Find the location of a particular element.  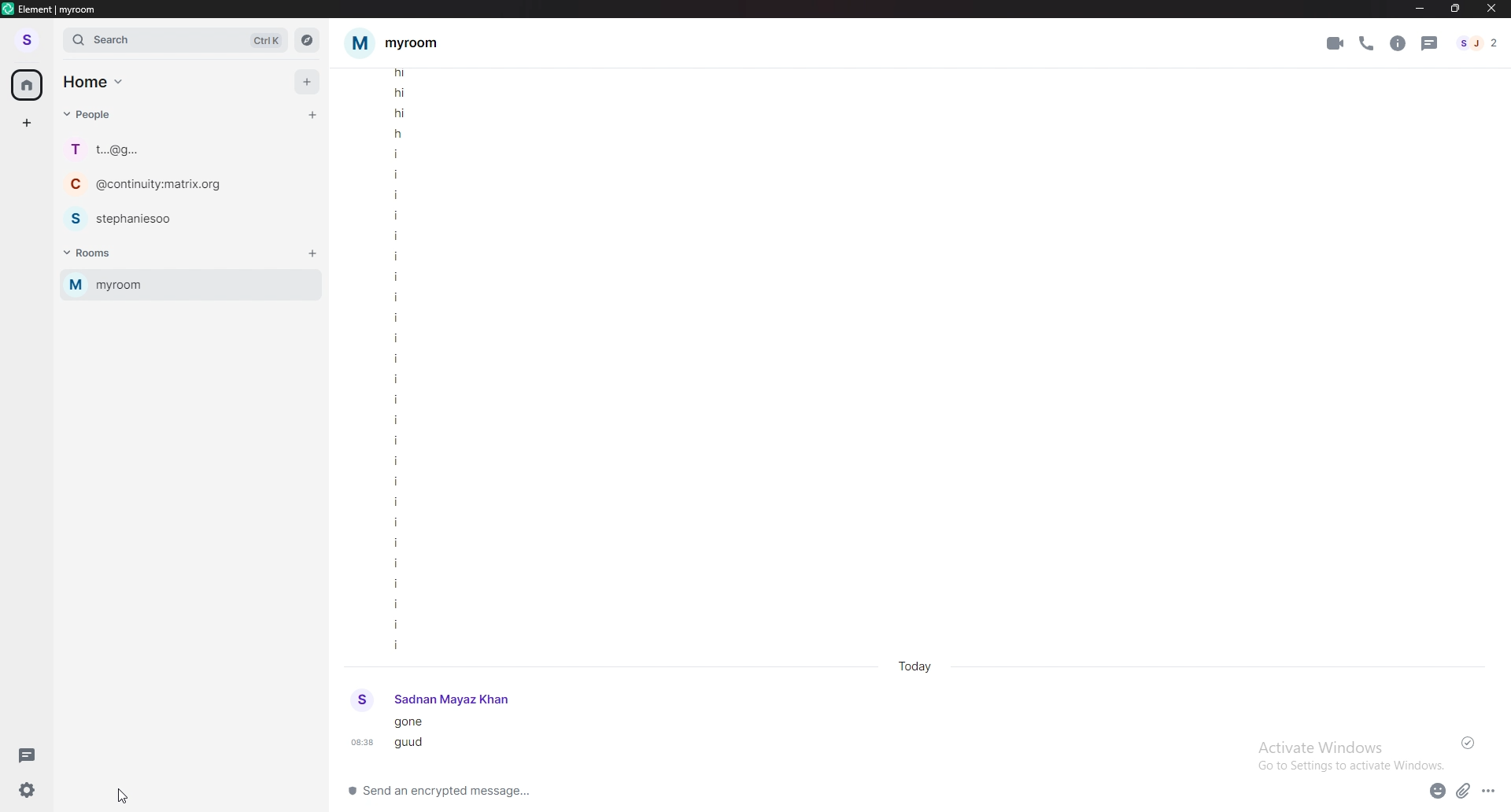

emoji is located at coordinates (1438, 791).